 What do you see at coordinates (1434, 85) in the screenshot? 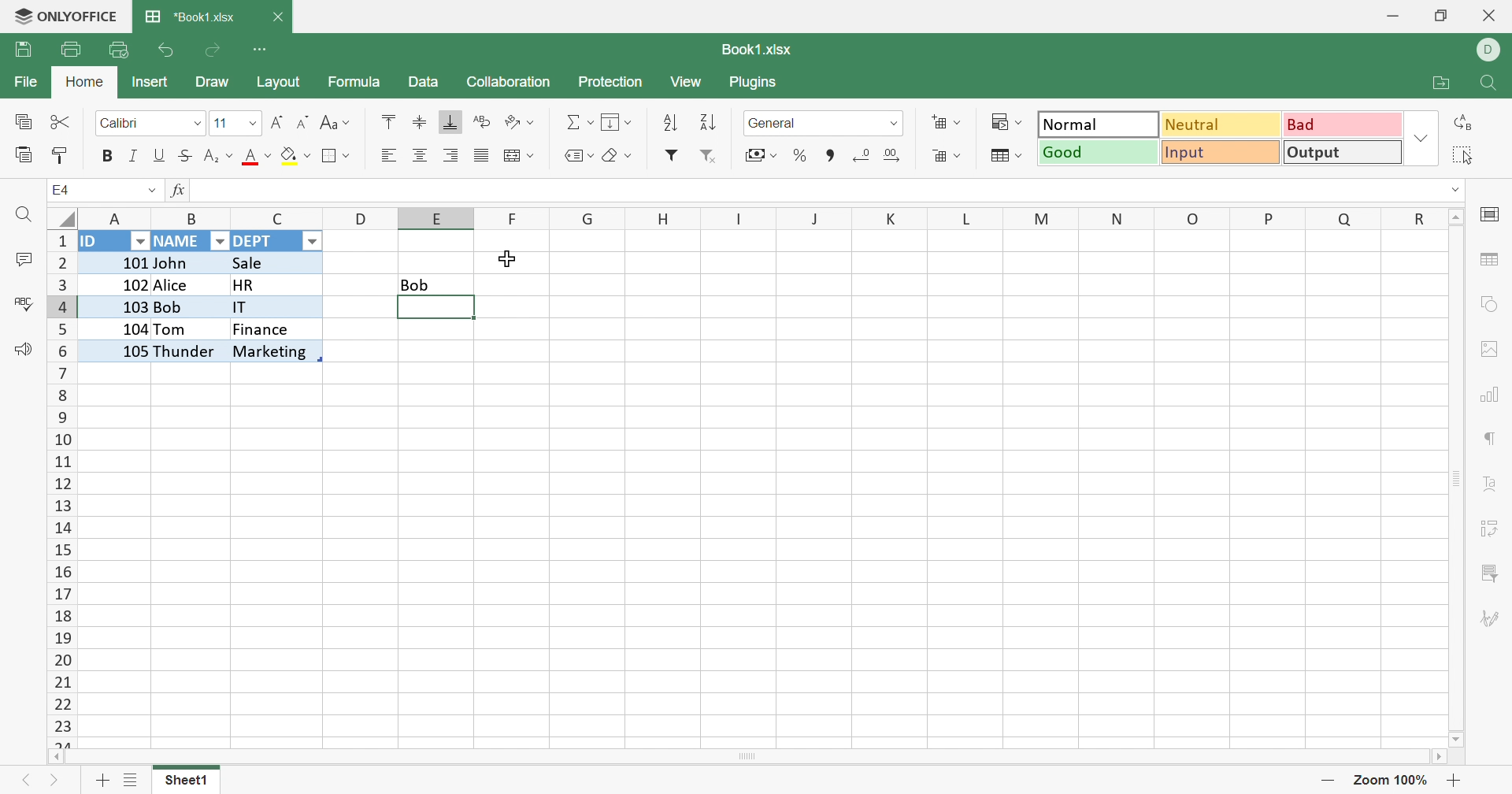
I see `Open file location` at bounding box center [1434, 85].